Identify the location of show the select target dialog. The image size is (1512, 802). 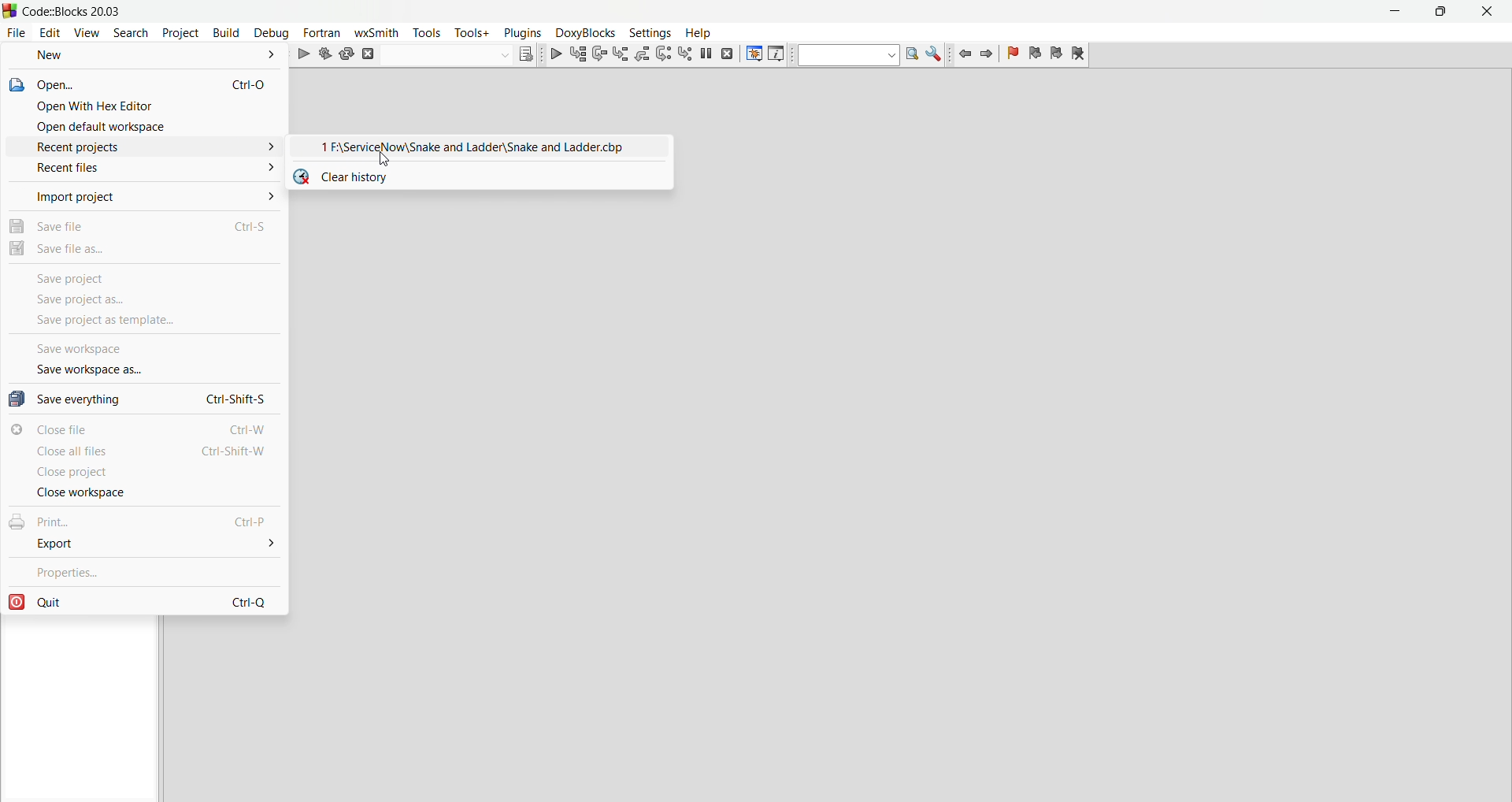
(528, 56).